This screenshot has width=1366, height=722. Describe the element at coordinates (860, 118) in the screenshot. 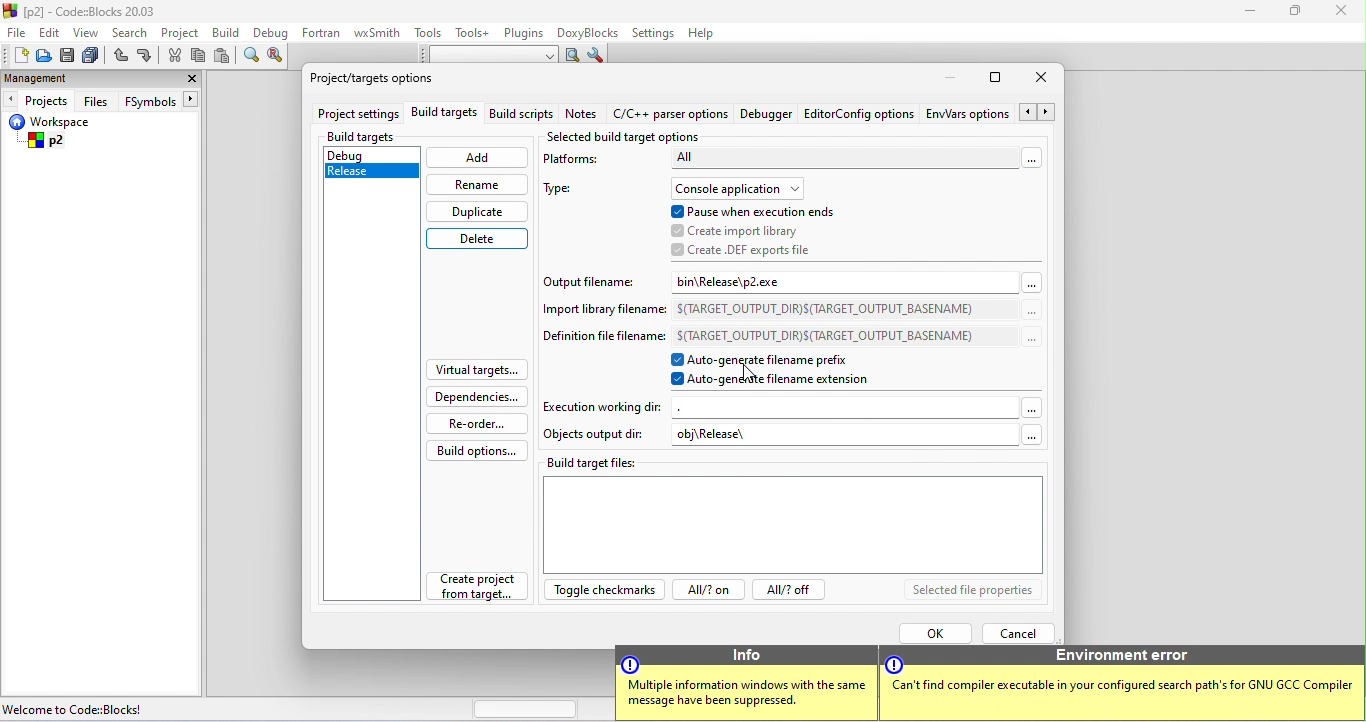

I see `editor config option` at that location.